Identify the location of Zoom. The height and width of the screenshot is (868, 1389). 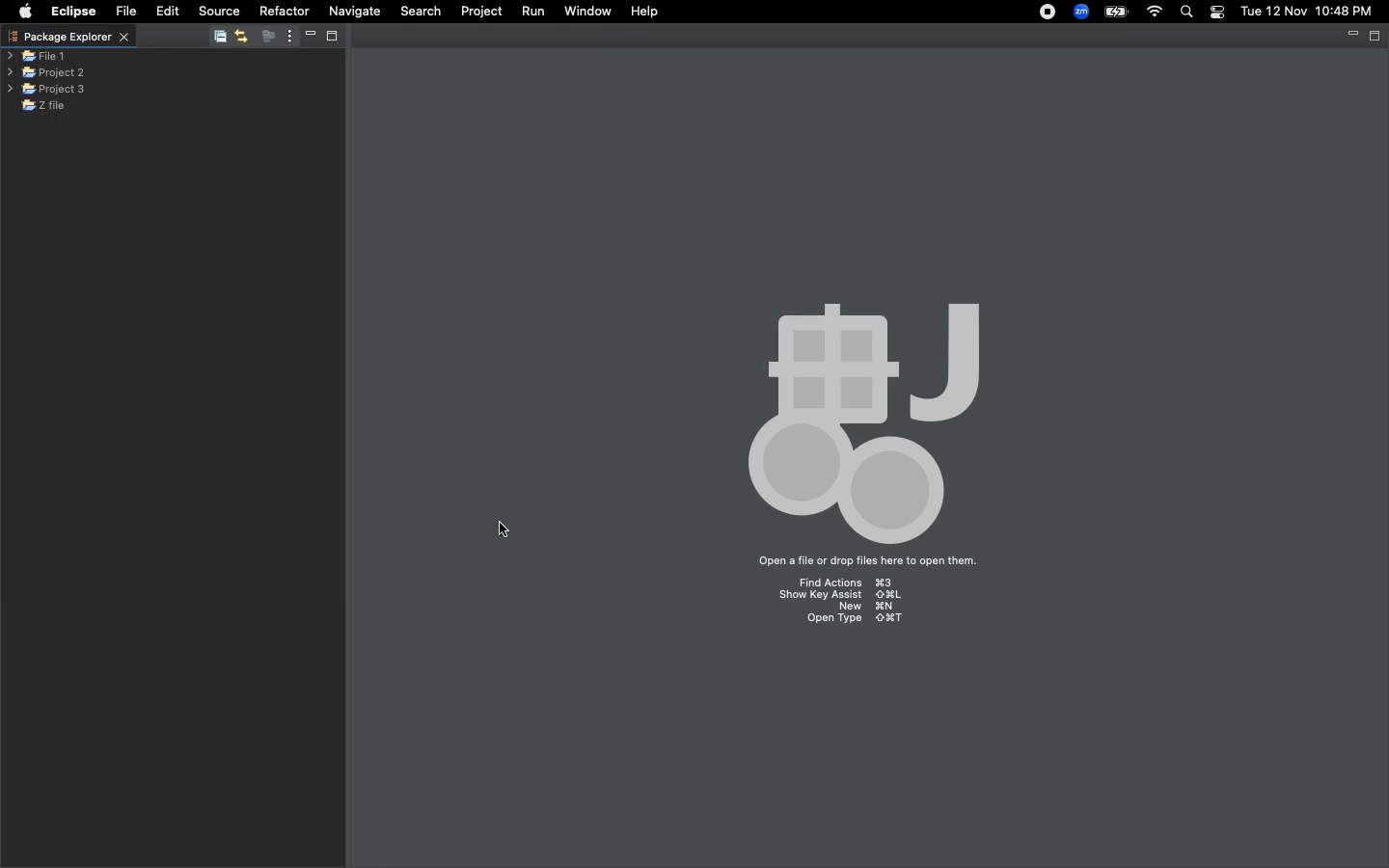
(1080, 12).